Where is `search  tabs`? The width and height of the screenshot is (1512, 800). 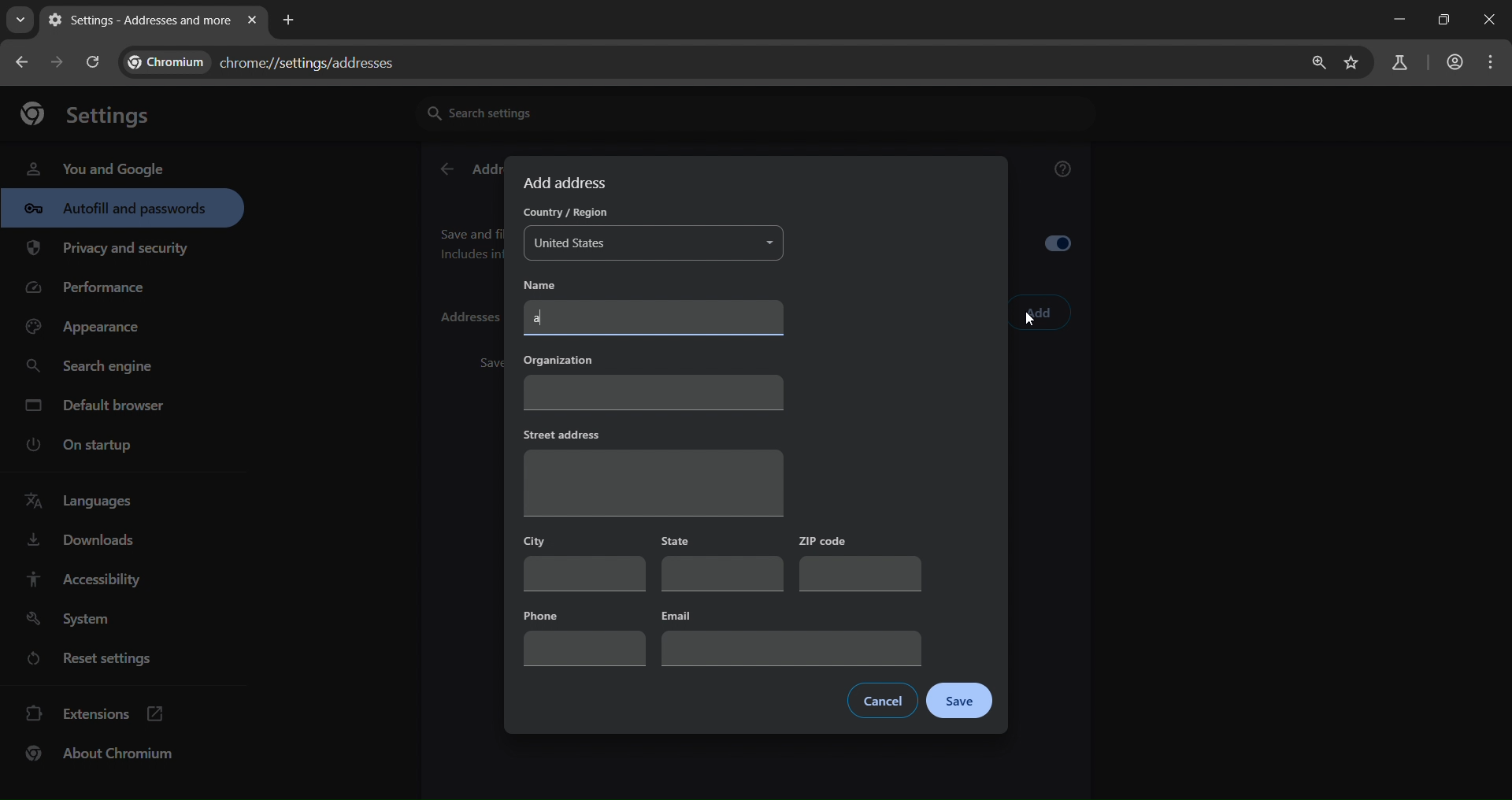
search  tabs is located at coordinates (20, 20).